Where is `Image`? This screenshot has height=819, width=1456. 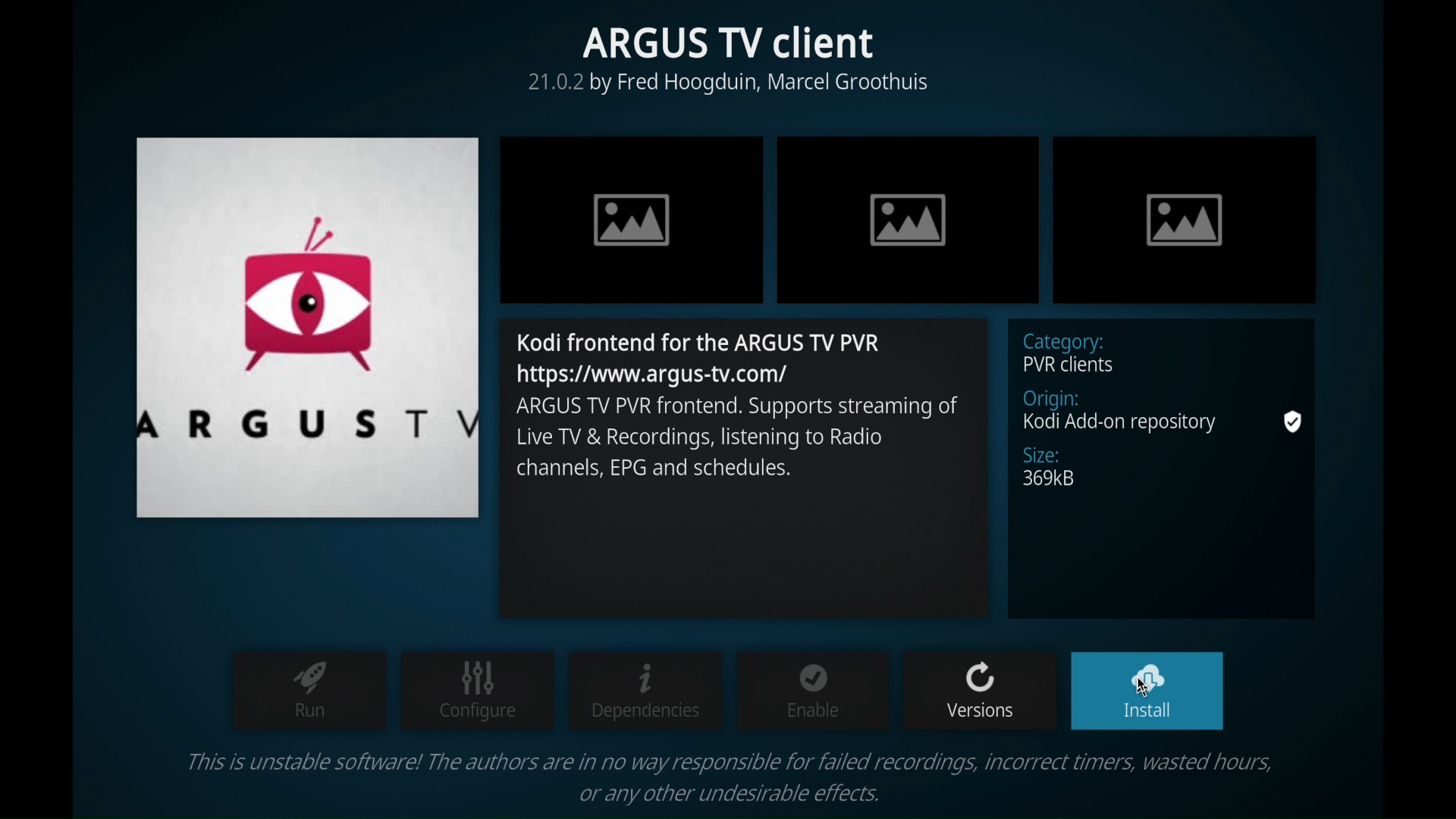
Image is located at coordinates (632, 221).